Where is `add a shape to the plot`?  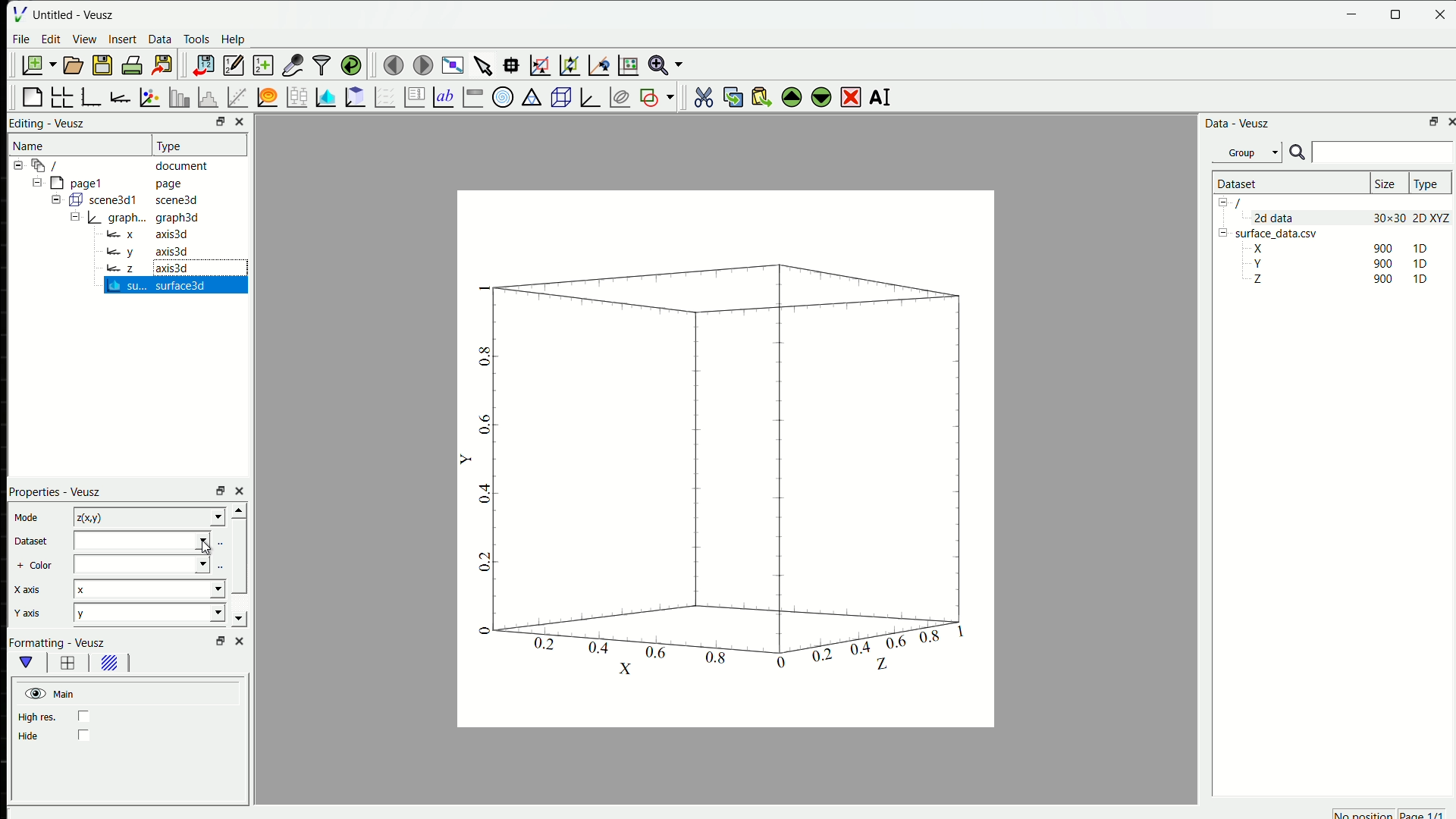 add a shape to the plot is located at coordinates (657, 96).